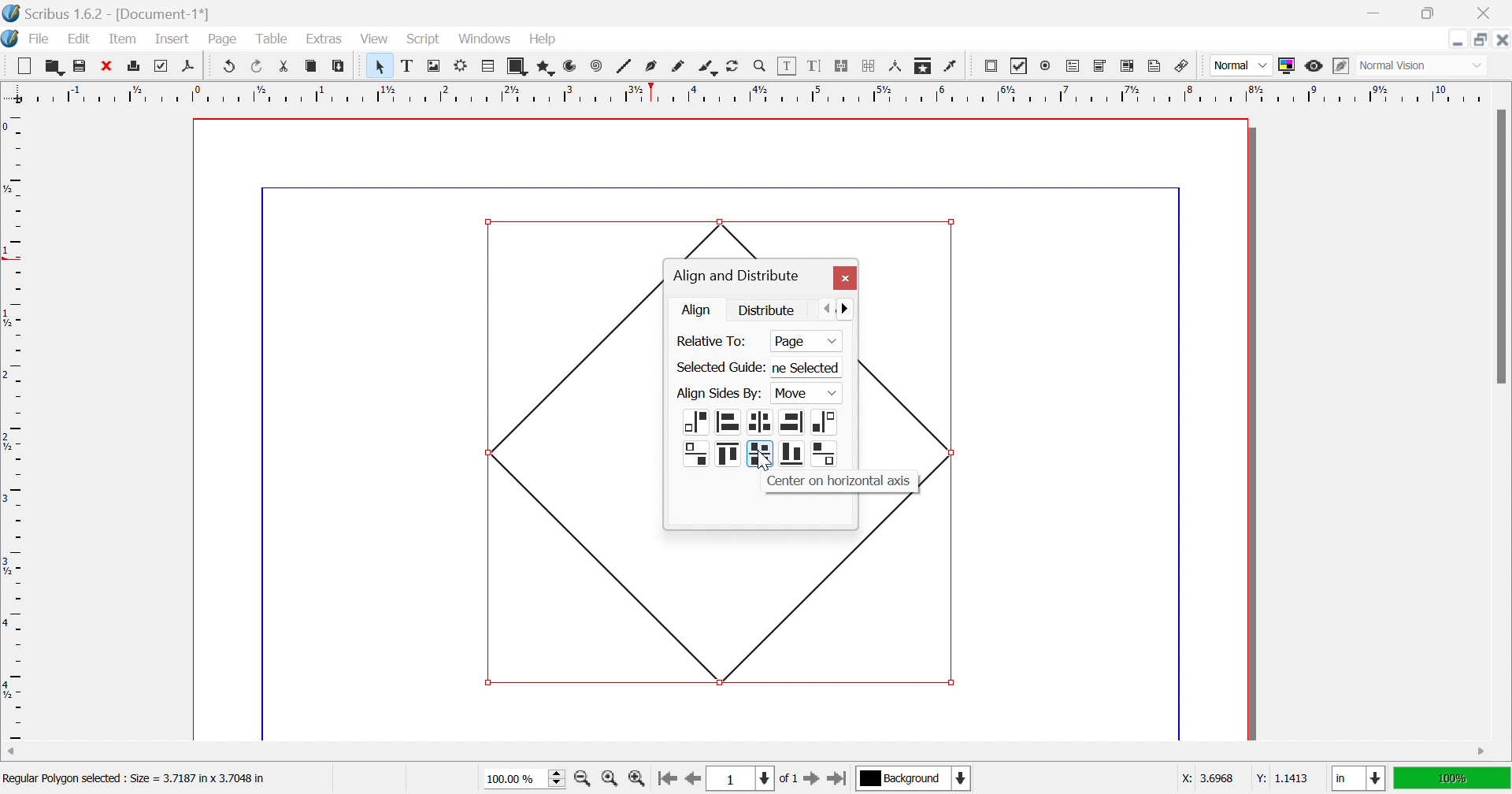 Image resolution: width=1512 pixels, height=794 pixels. I want to click on Go to the last page, so click(836, 781).